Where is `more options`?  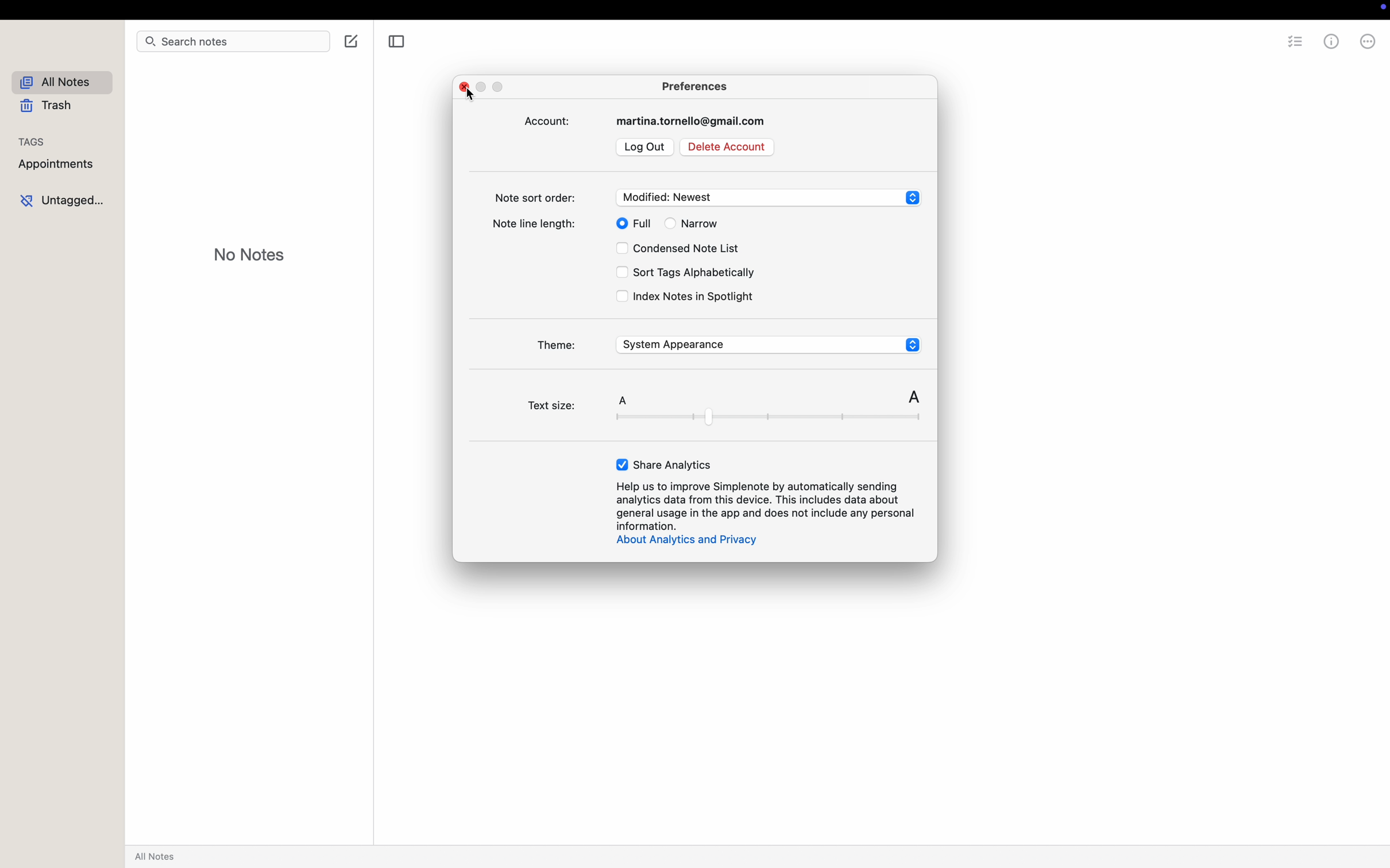 more options is located at coordinates (1368, 43).